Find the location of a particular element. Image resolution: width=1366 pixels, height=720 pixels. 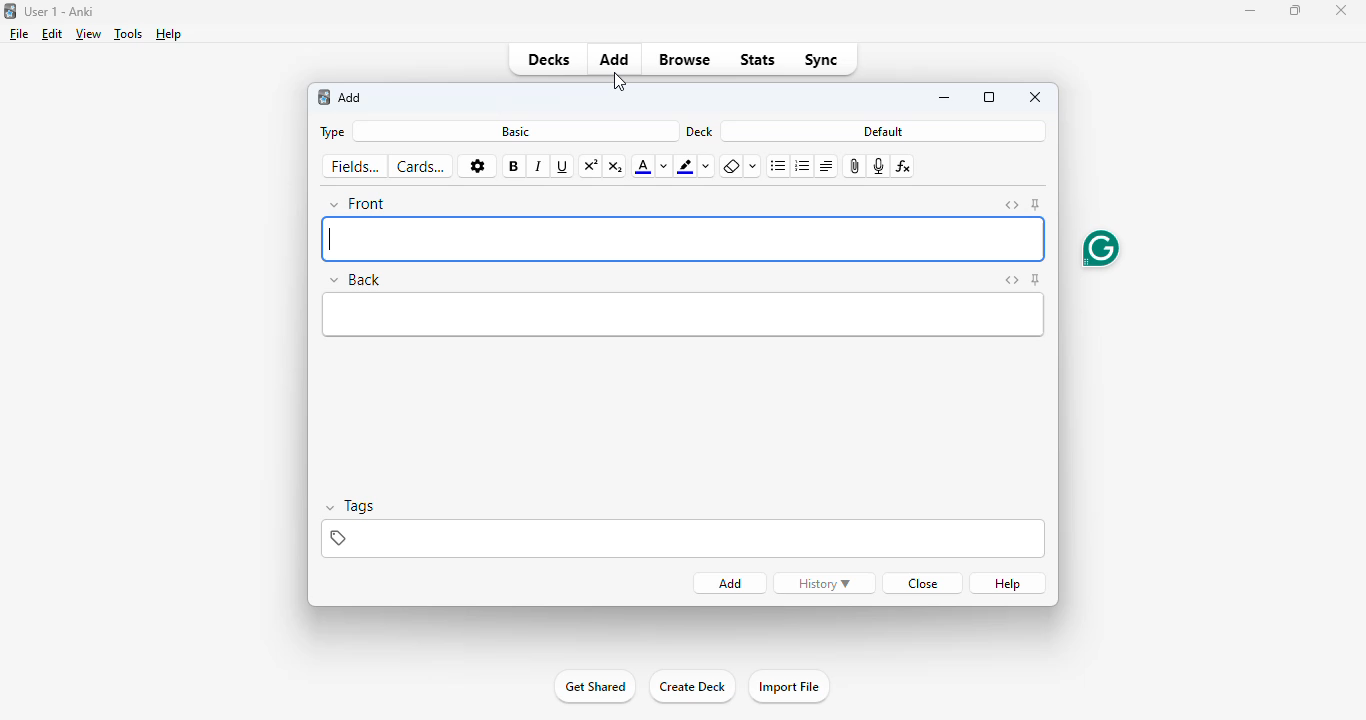

import file is located at coordinates (788, 687).